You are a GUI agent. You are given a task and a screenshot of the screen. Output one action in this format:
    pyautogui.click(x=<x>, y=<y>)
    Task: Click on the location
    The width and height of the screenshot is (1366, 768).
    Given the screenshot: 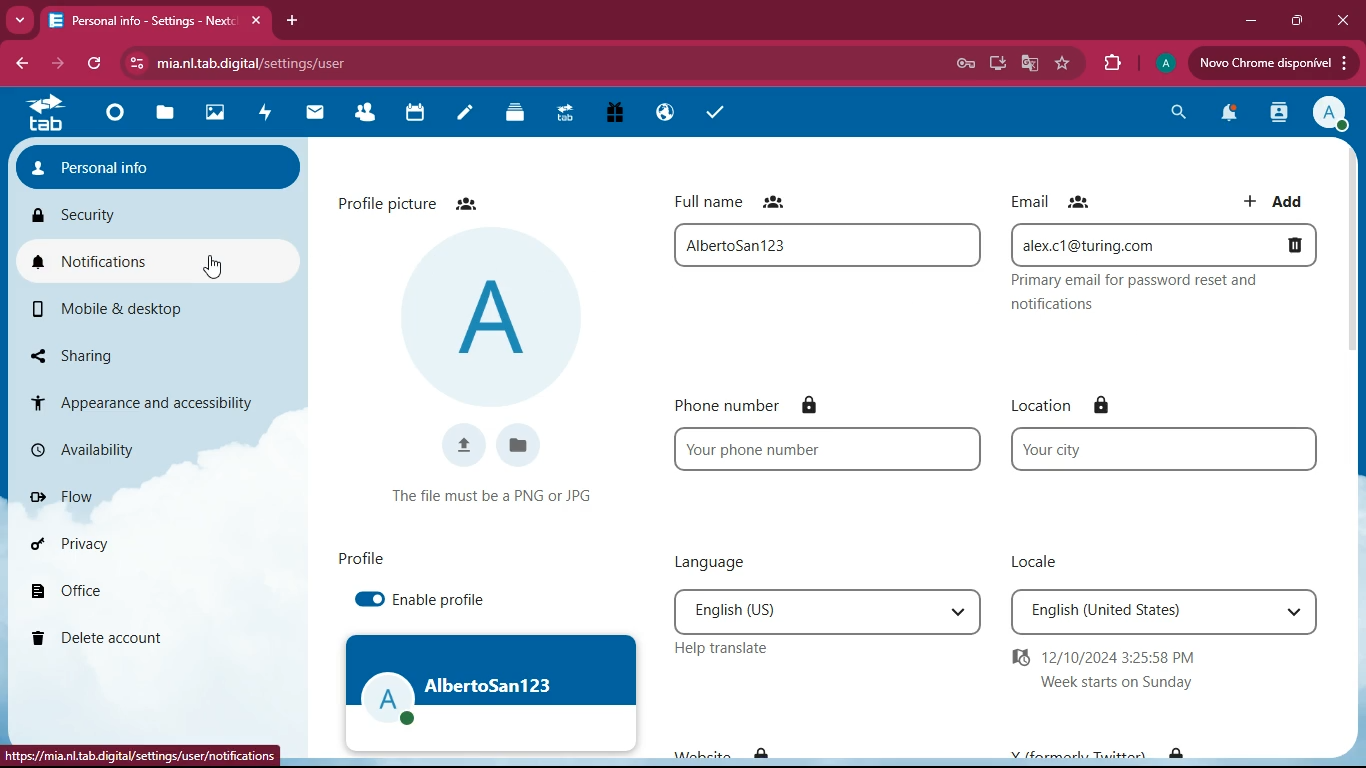 What is the action you would take?
    pyautogui.click(x=1165, y=449)
    